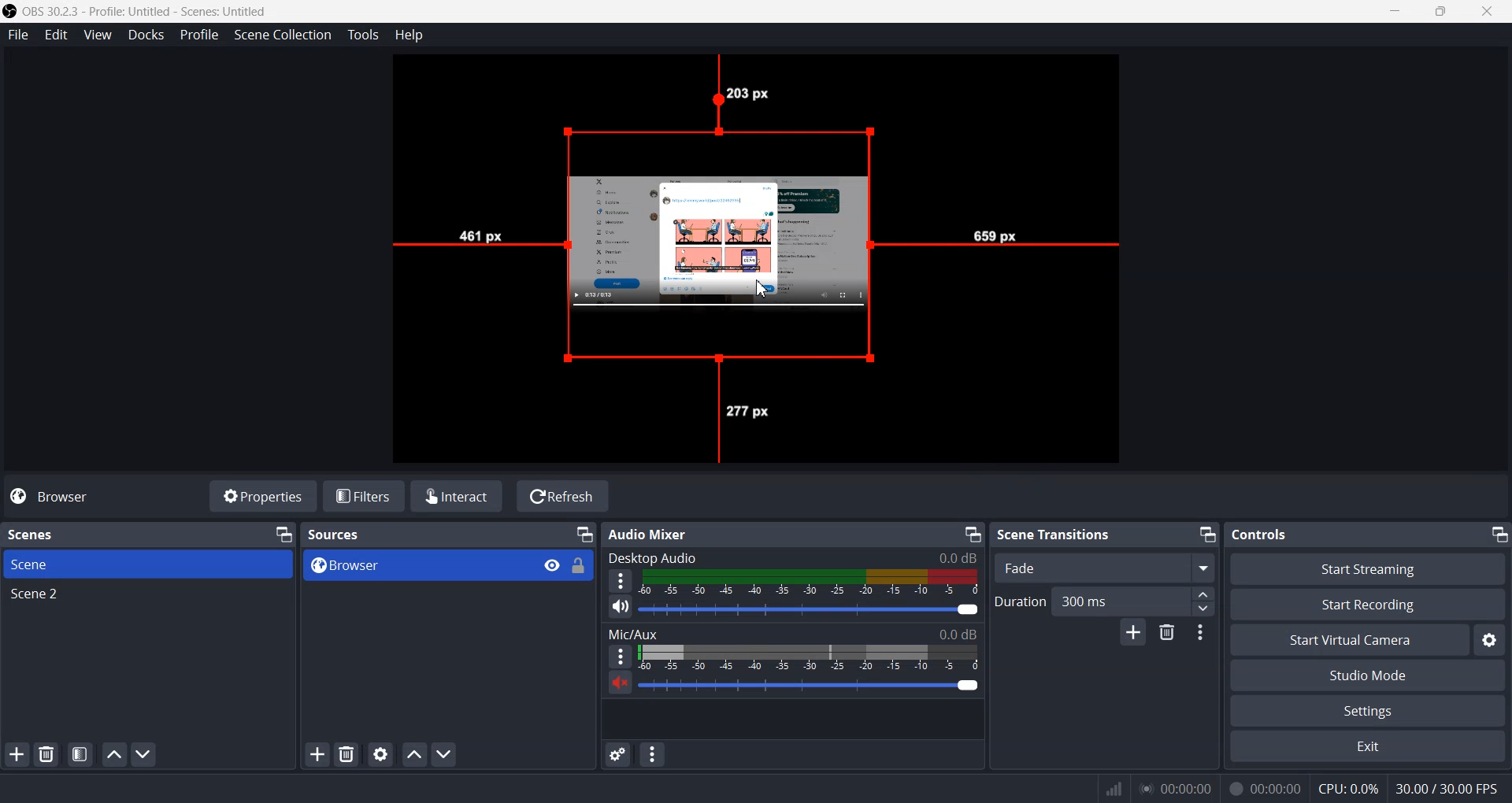 This screenshot has height=803, width=1512. I want to click on Sound Volume adjuster, so click(818, 686).